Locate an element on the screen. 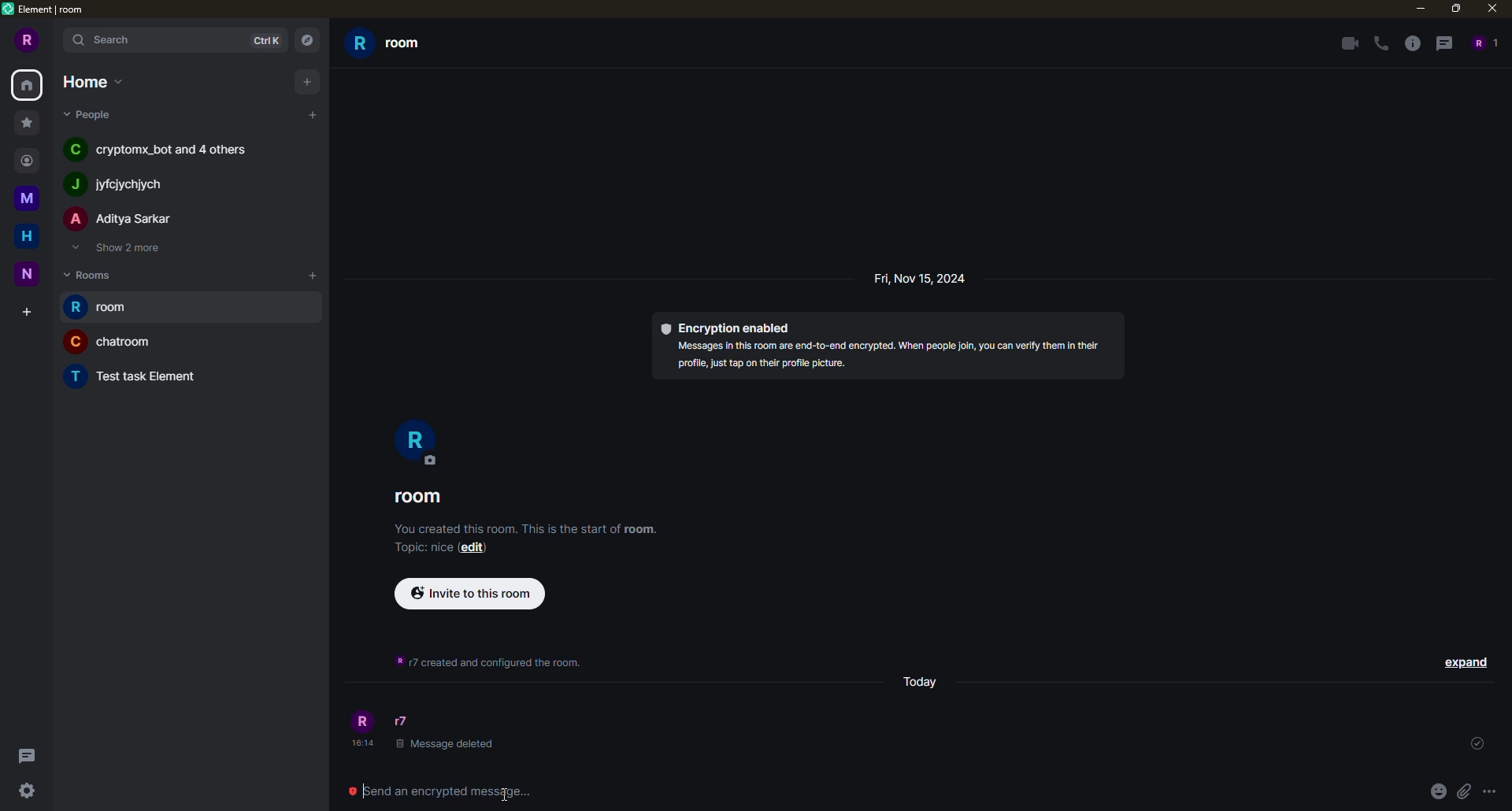 The height and width of the screenshot is (811, 1512). create space is located at coordinates (22, 310).